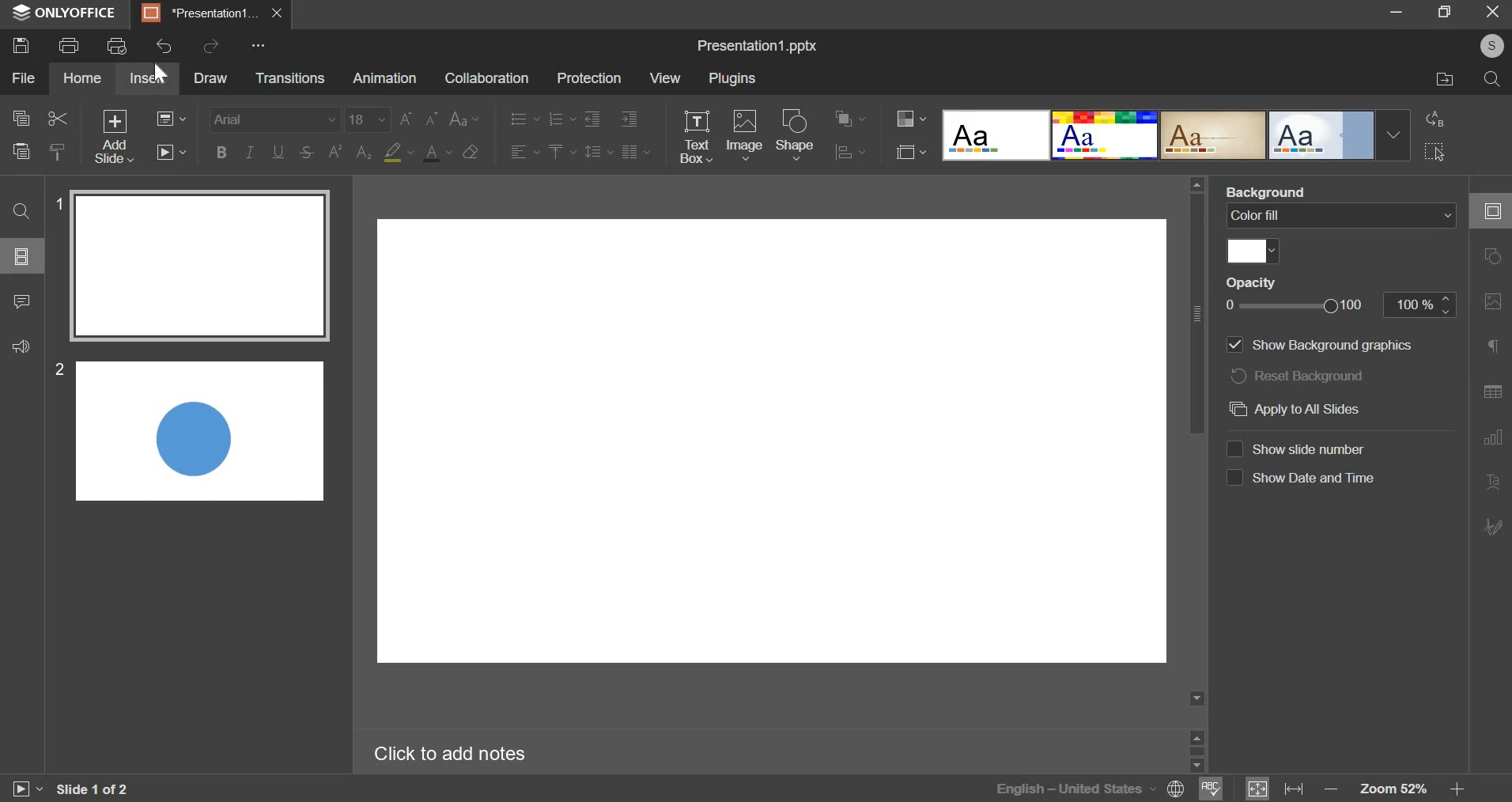 The width and height of the screenshot is (1512, 802). What do you see at coordinates (1302, 450) in the screenshot?
I see `show slide number` at bounding box center [1302, 450].